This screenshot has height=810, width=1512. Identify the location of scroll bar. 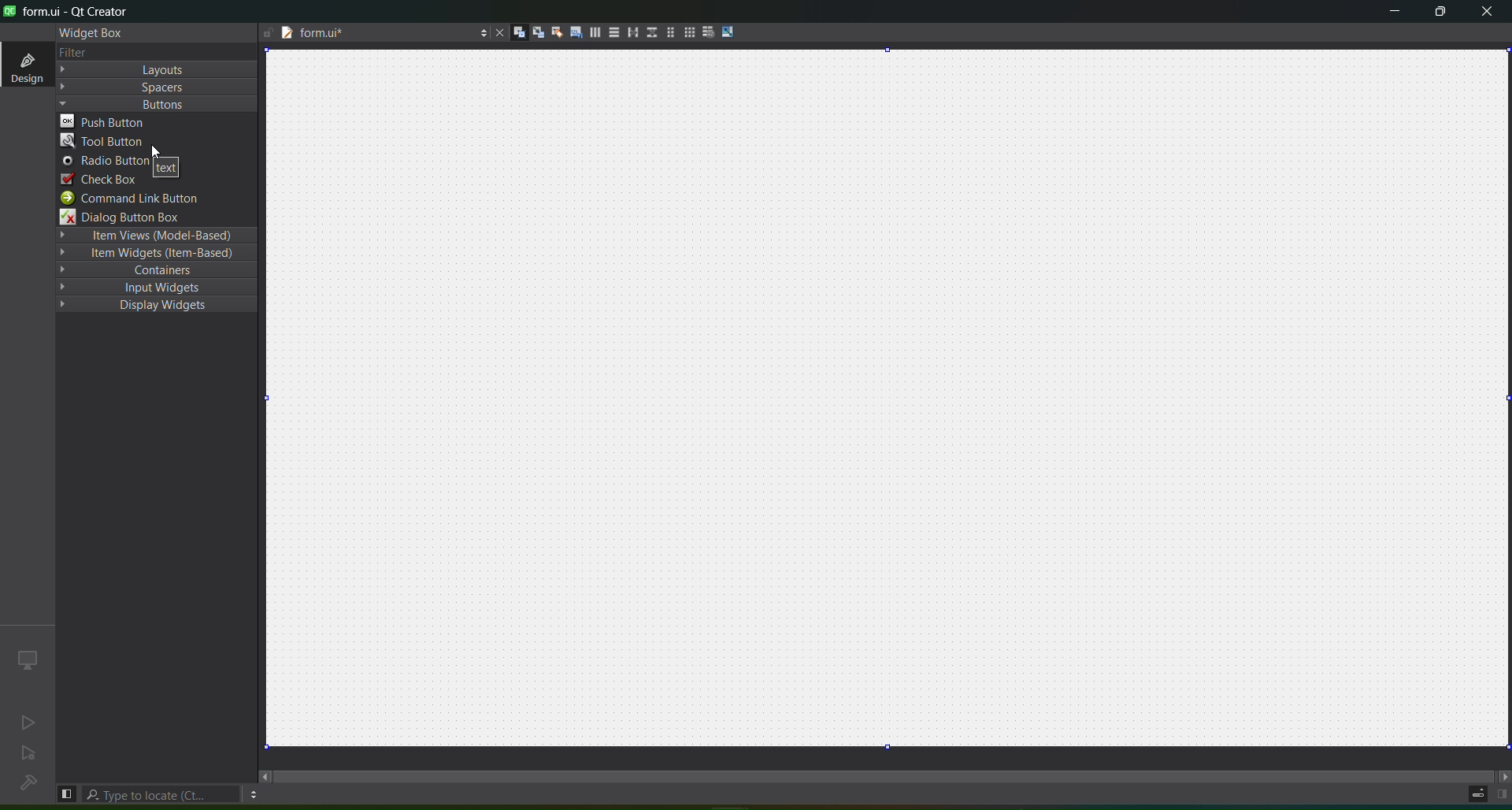
(882, 774).